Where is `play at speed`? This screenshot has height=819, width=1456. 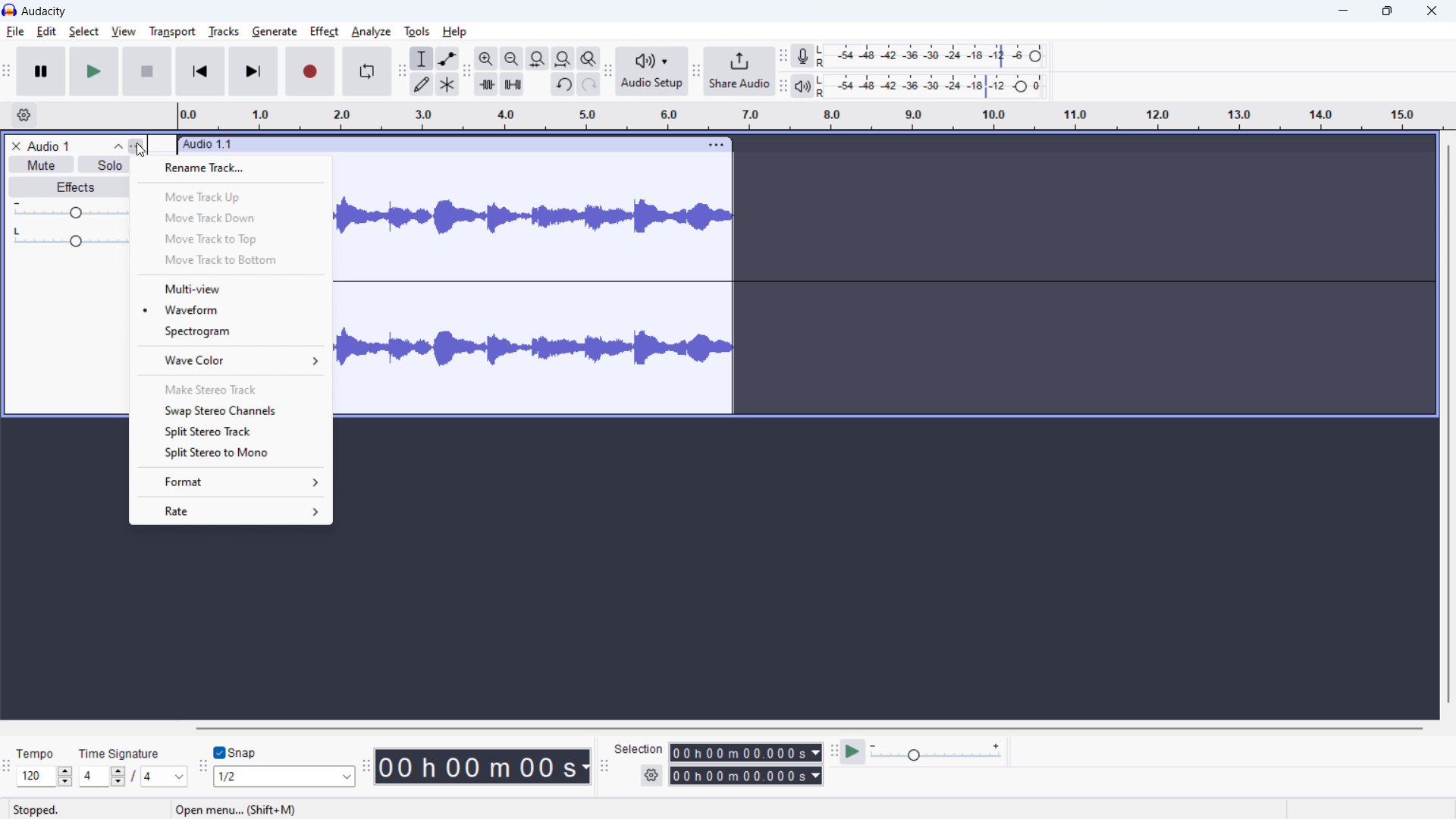 play at speed is located at coordinates (854, 752).